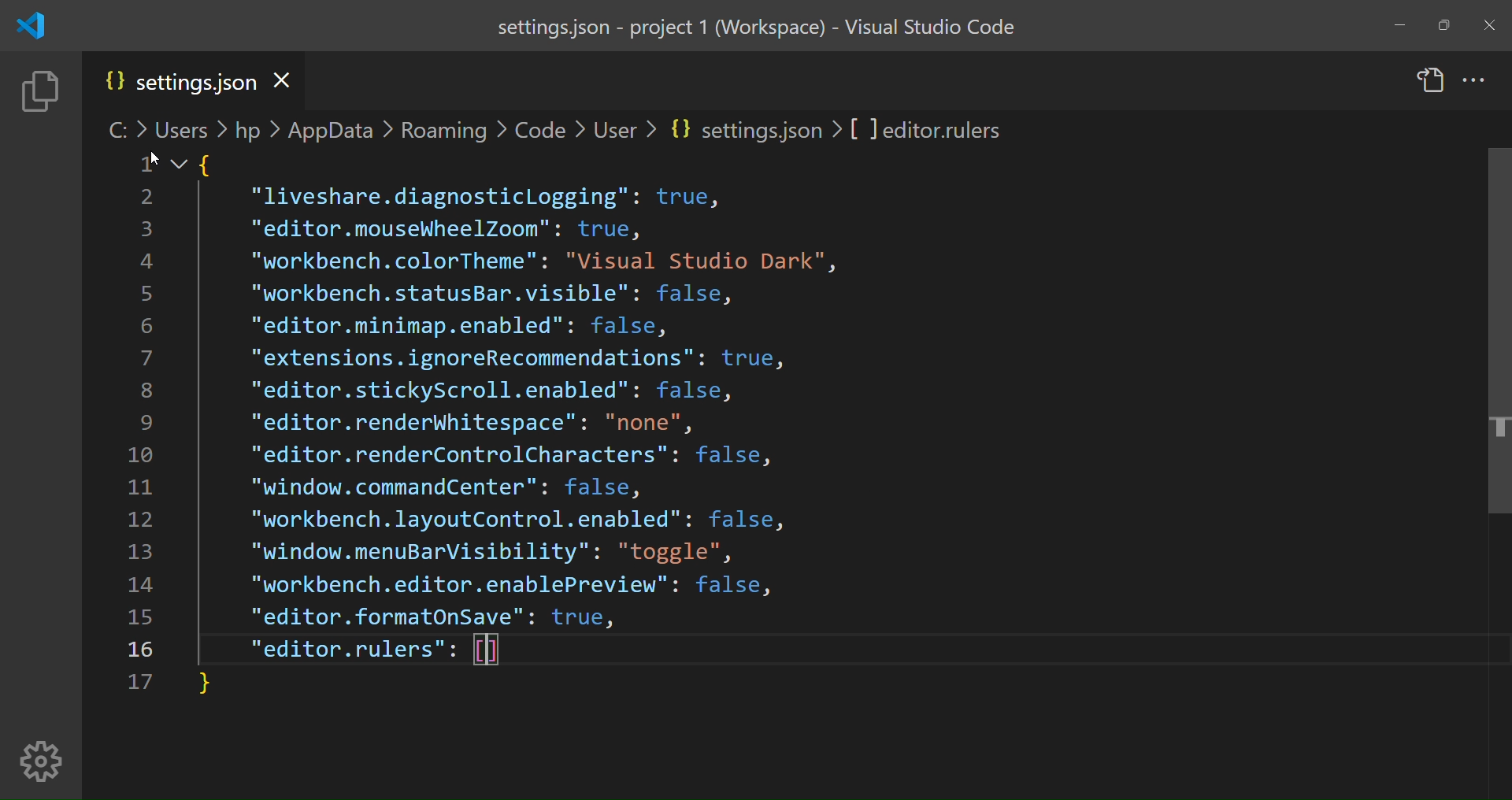 This screenshot has width=1512, height=800. I want to click on open setting, so click(1430, 82).